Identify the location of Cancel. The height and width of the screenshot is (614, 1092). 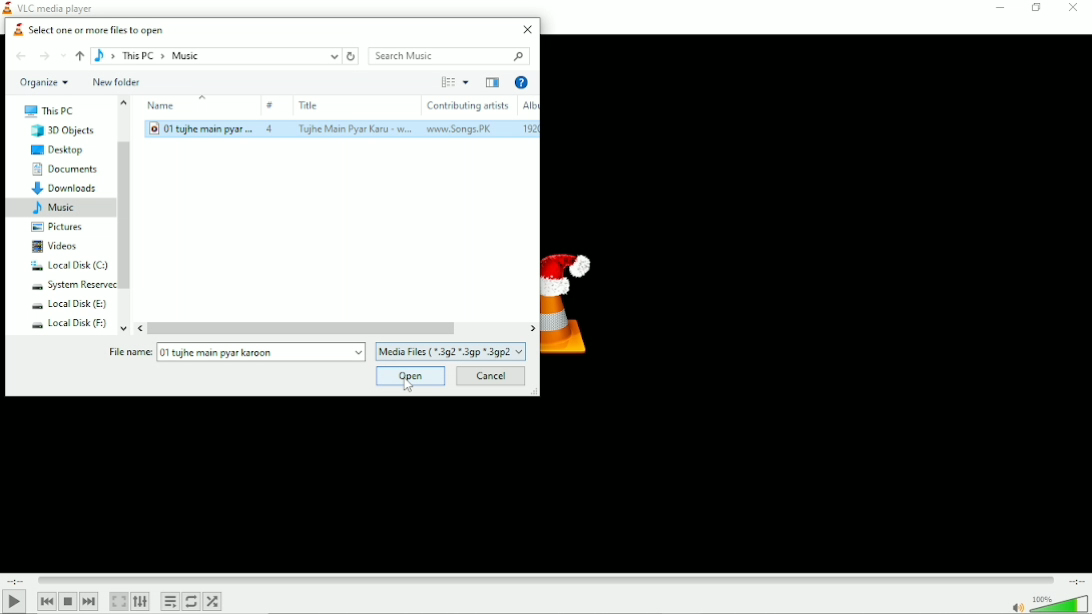
(491, 376).